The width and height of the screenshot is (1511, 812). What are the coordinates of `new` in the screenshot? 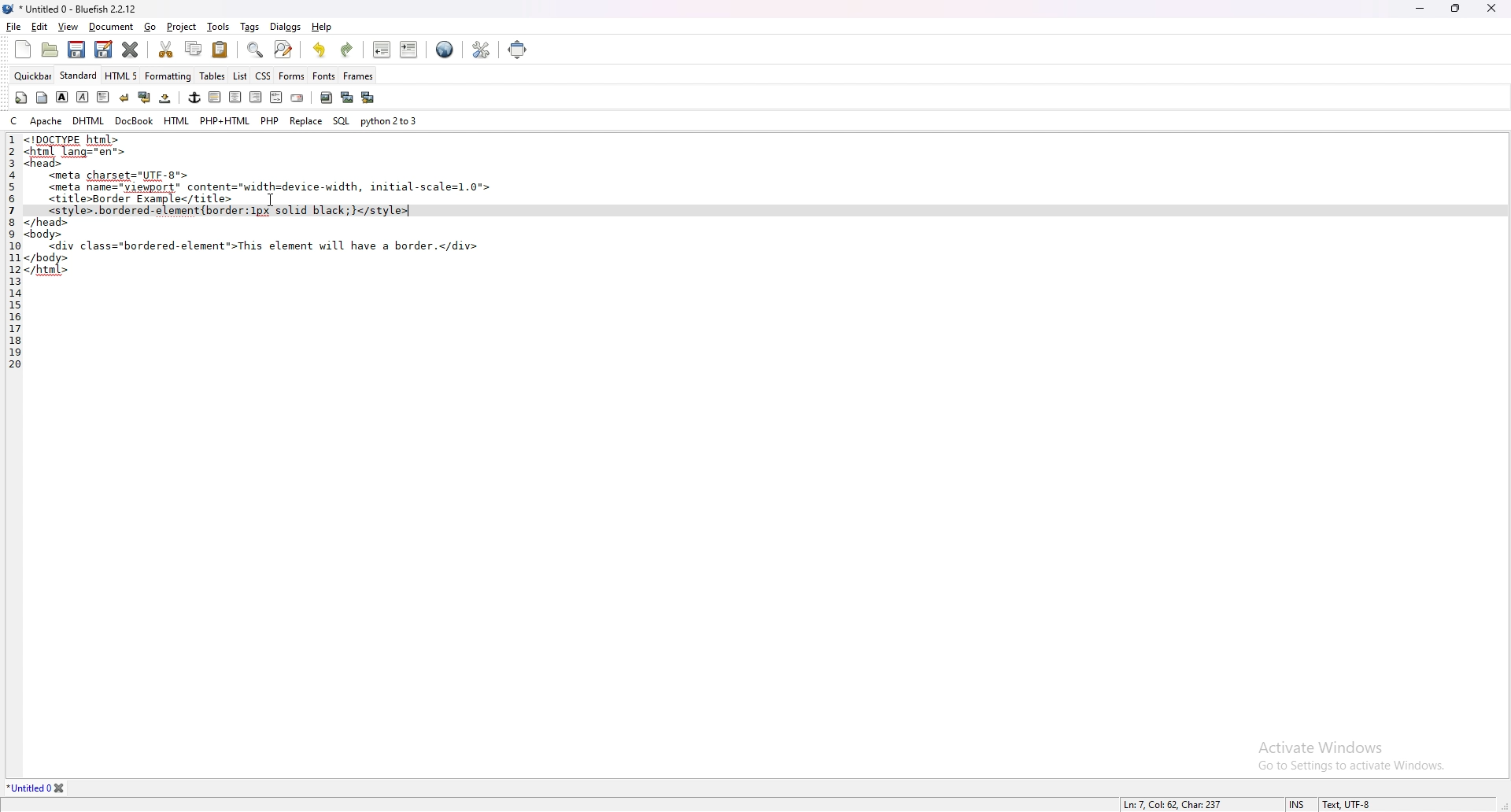 It's located at (22, 50).